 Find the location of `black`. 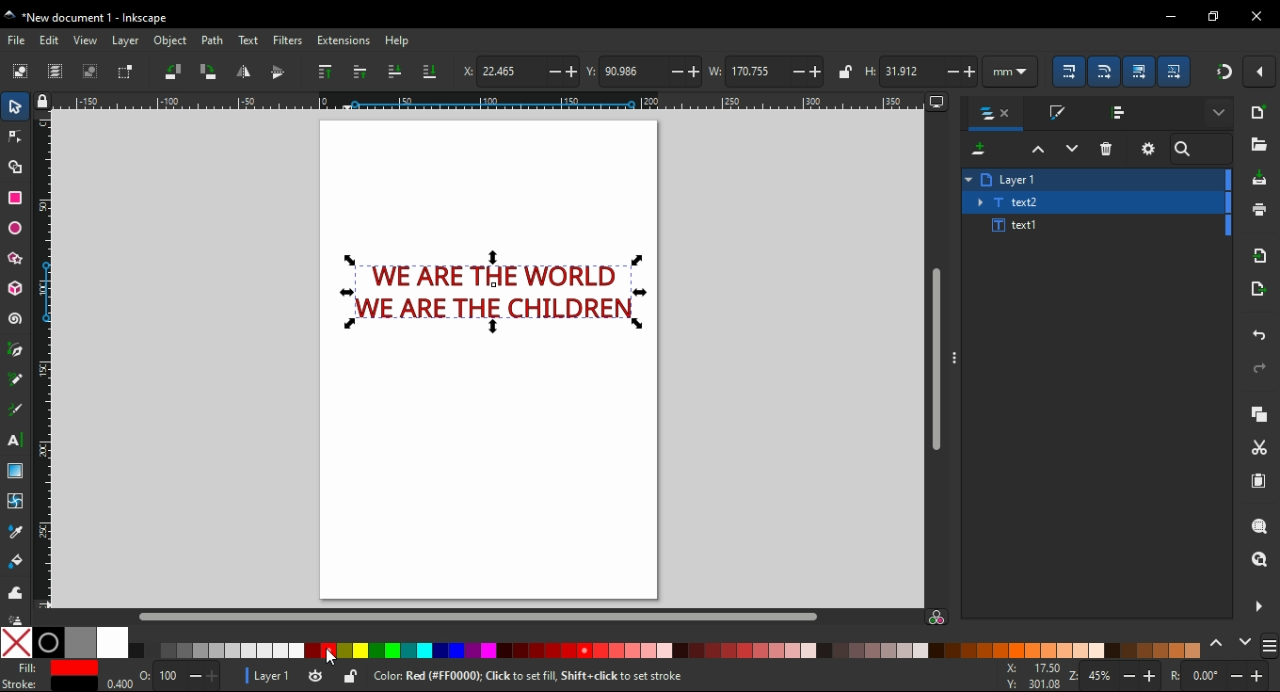

black is located at coordinates (48, 642).